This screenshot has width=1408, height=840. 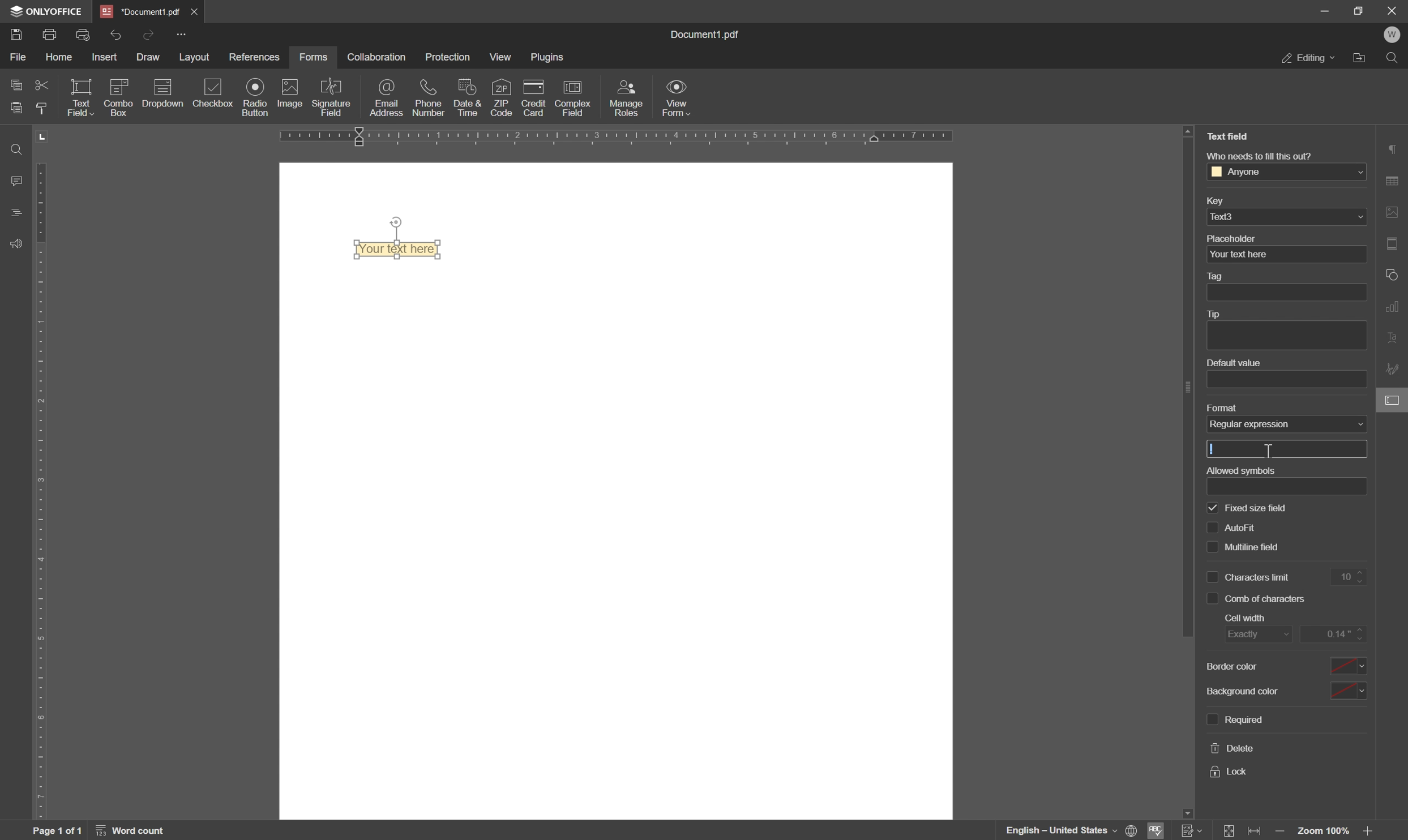 What do you see at coordinates (628, 97) in the screenshot?
I see `manage roles` at bounding box center [628, 97].